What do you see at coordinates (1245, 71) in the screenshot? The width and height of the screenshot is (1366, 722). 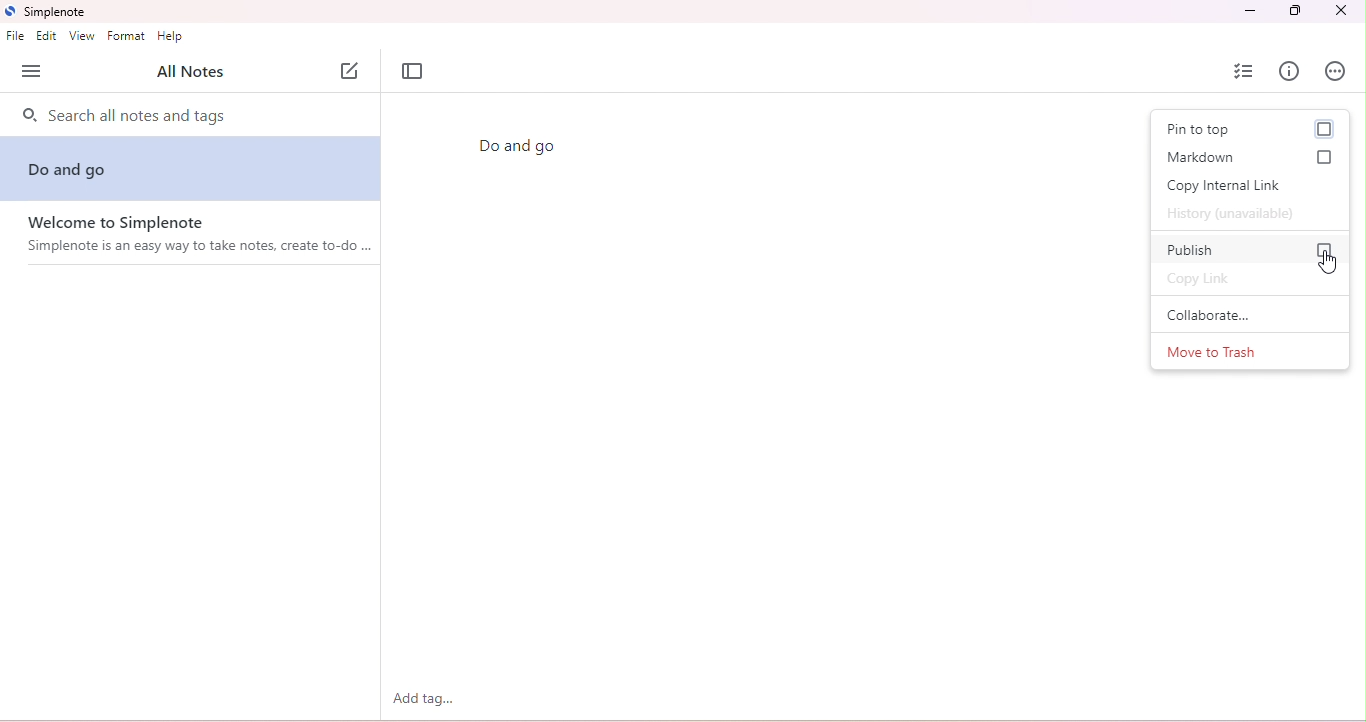 I see `insert checklist` at bounding box center [1245, 71].